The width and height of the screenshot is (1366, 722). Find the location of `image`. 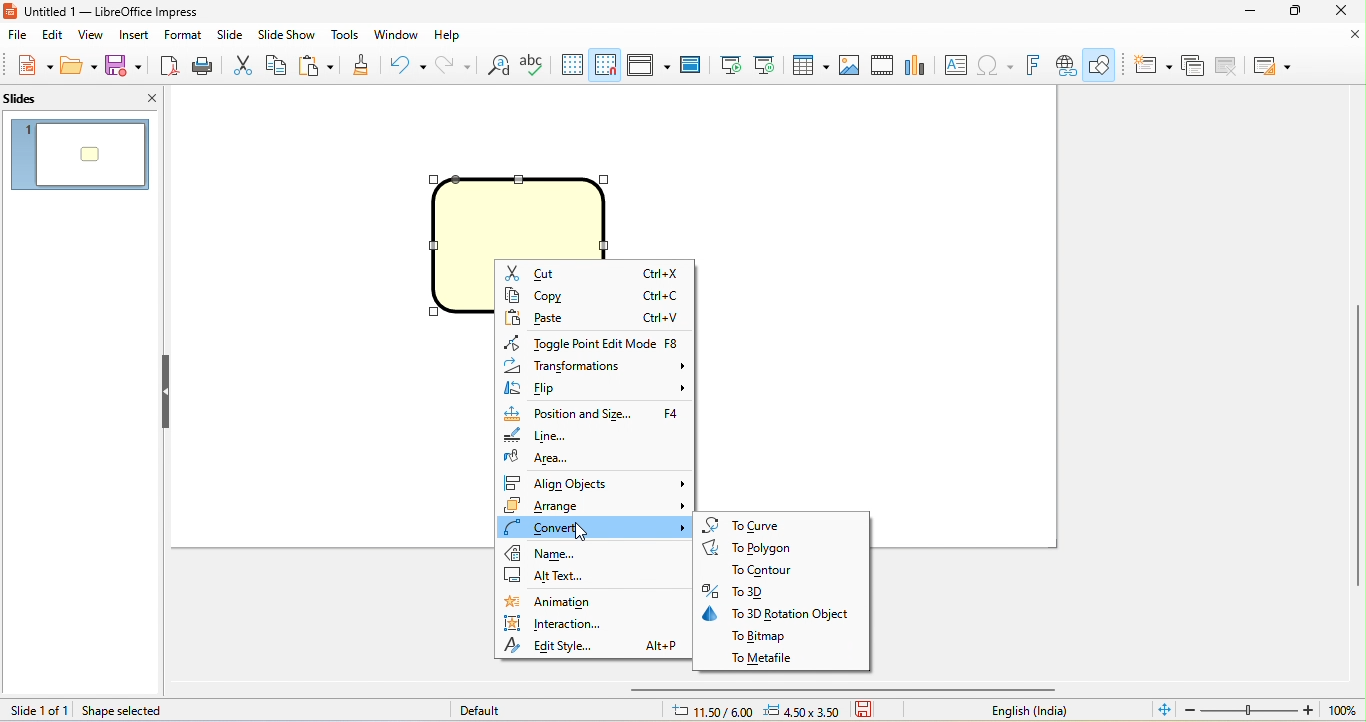

image is located at coordinates (852, 64).